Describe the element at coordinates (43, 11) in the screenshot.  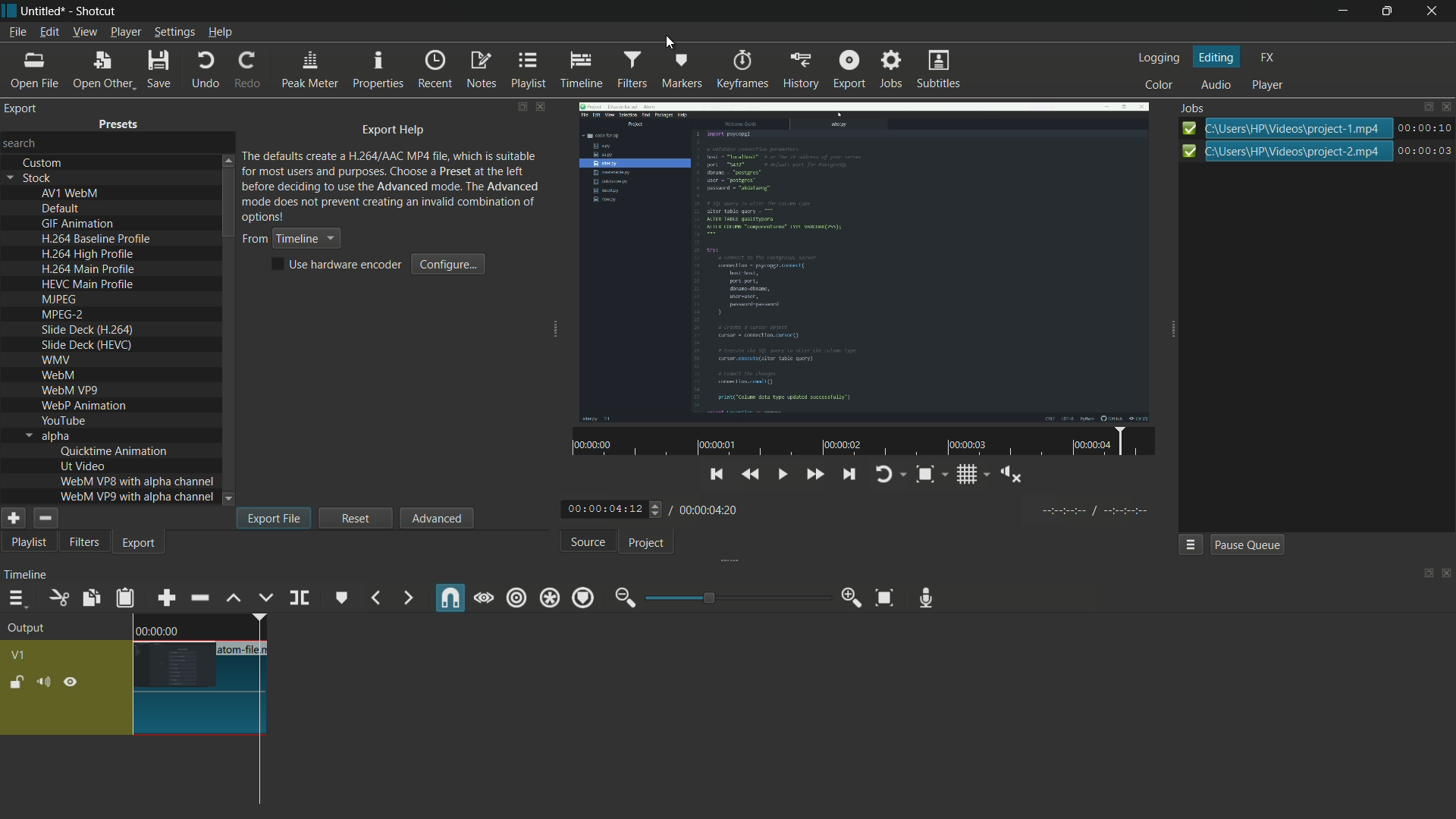
I see `project name` at that location.